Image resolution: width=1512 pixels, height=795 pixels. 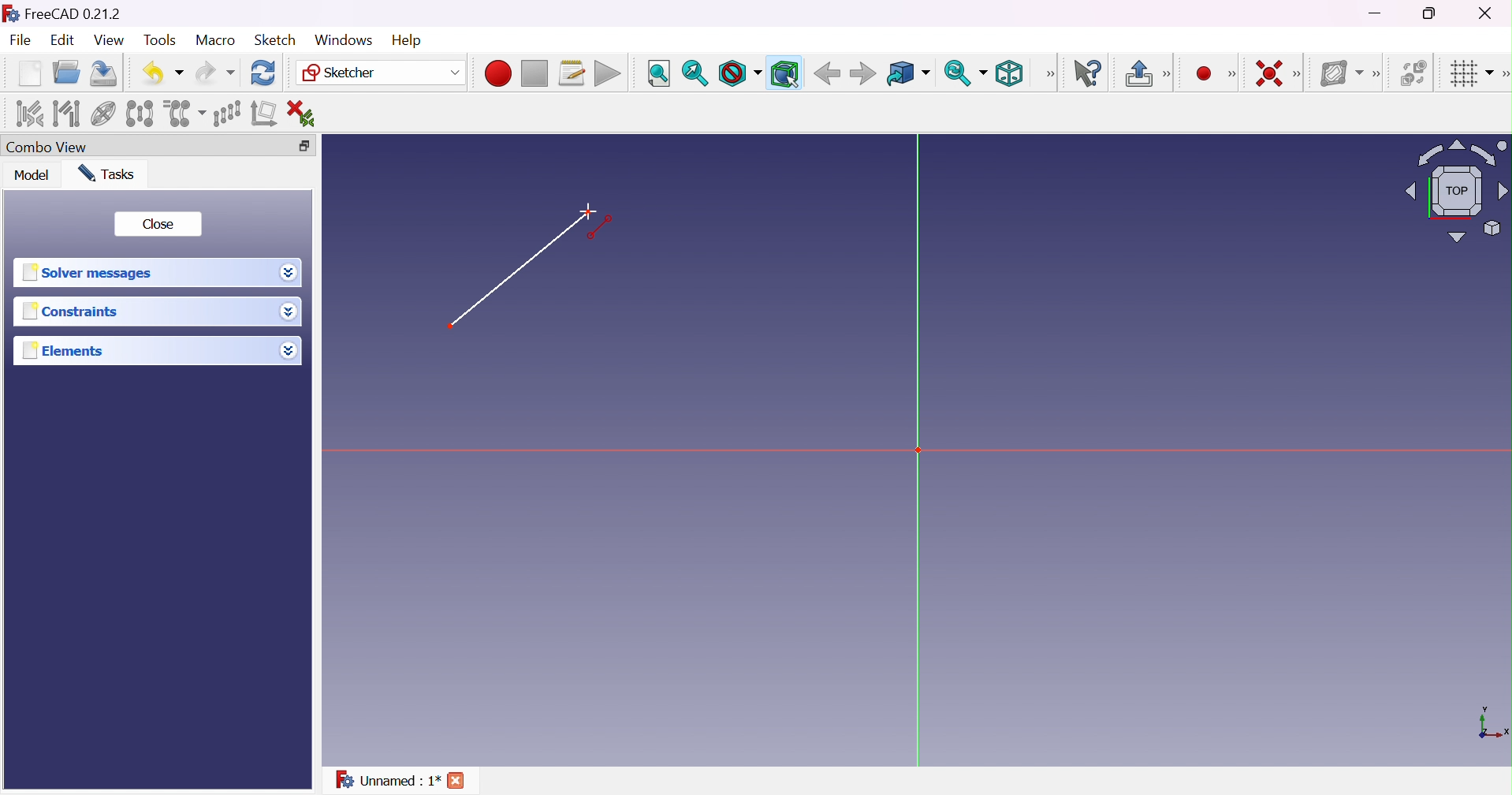 What do you see at coordinates (112, 174) in the screenshot?
I see `Tasks` at bounding box center [112, 174].